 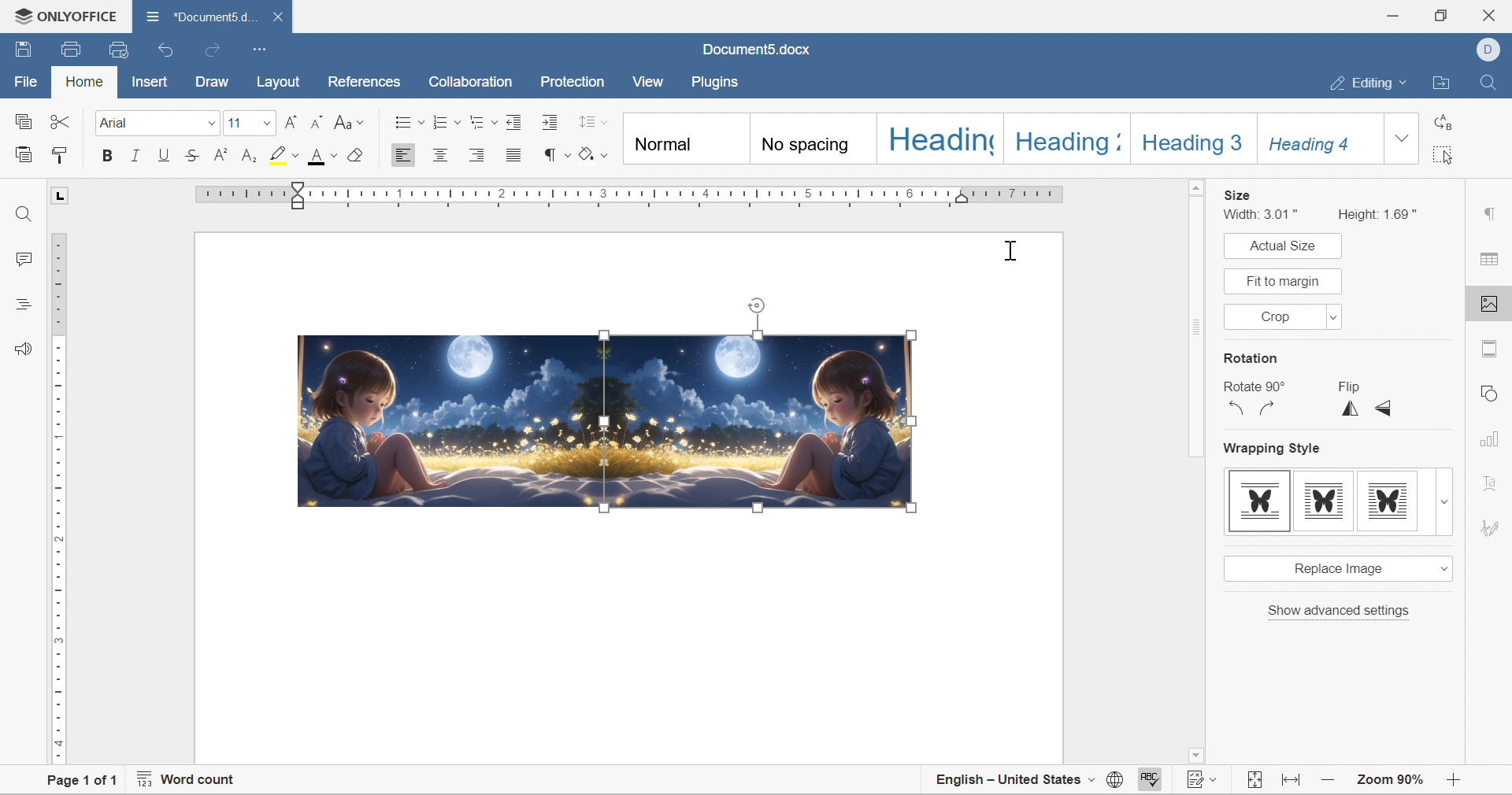 I want to click on shape settings, so click(x=1493, y=391).